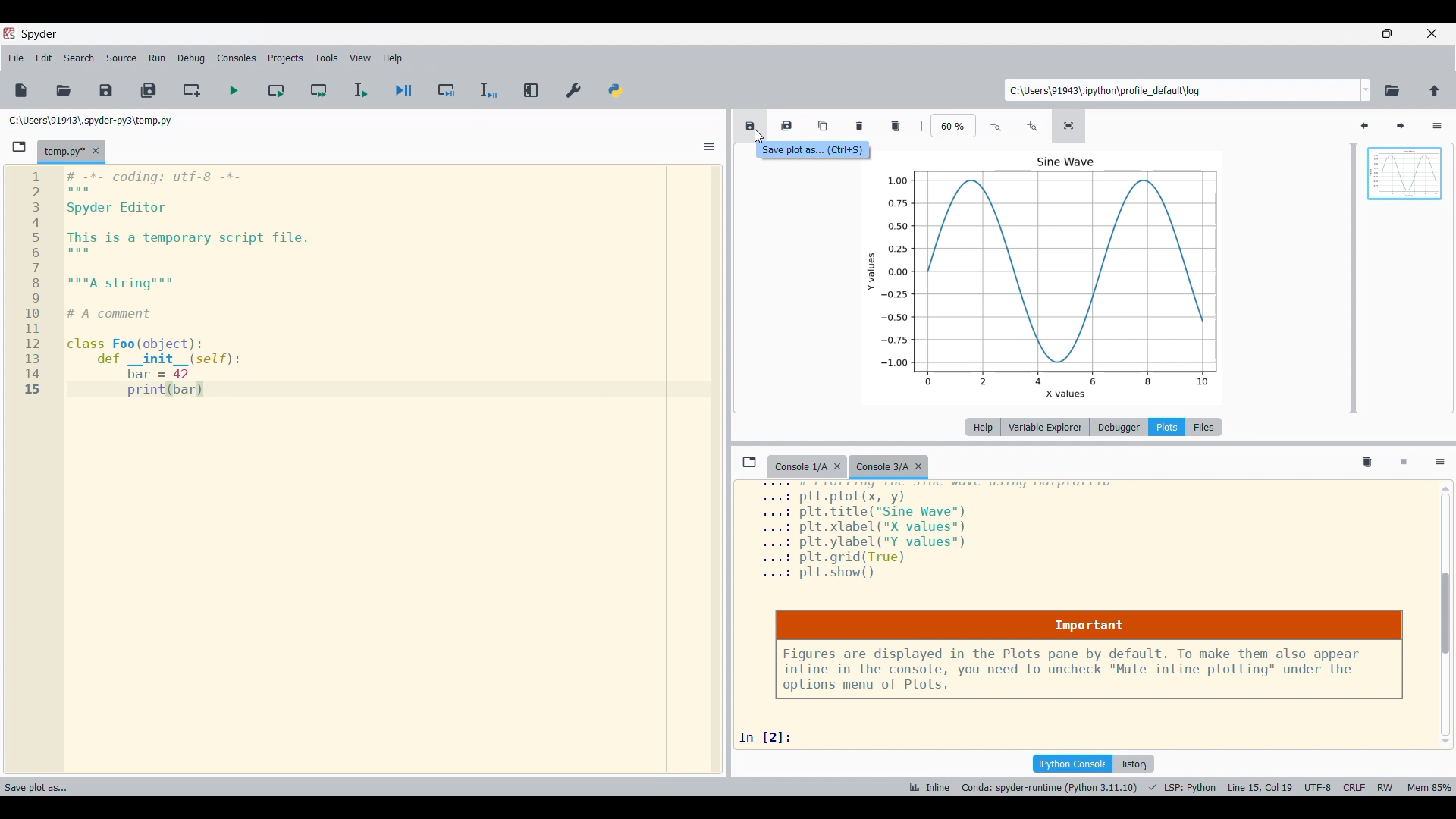 The height and width of the screenshot is (819, 1456). Describe the element at coordinates (1393, 90) in the screenshot. I see `Browse working directory` at that location.